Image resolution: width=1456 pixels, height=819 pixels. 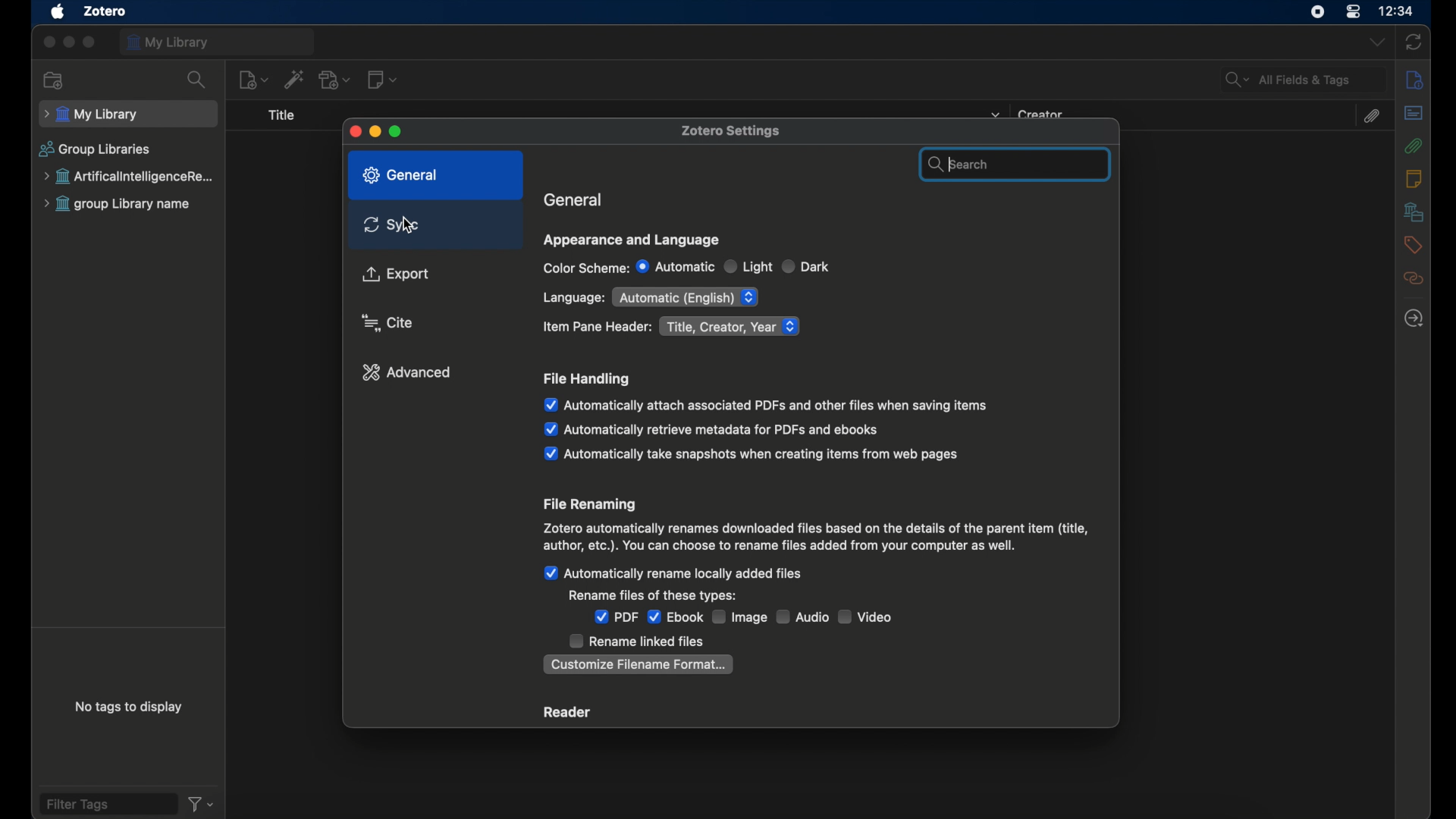 I want to click on language:, so click(x=573, y=298).